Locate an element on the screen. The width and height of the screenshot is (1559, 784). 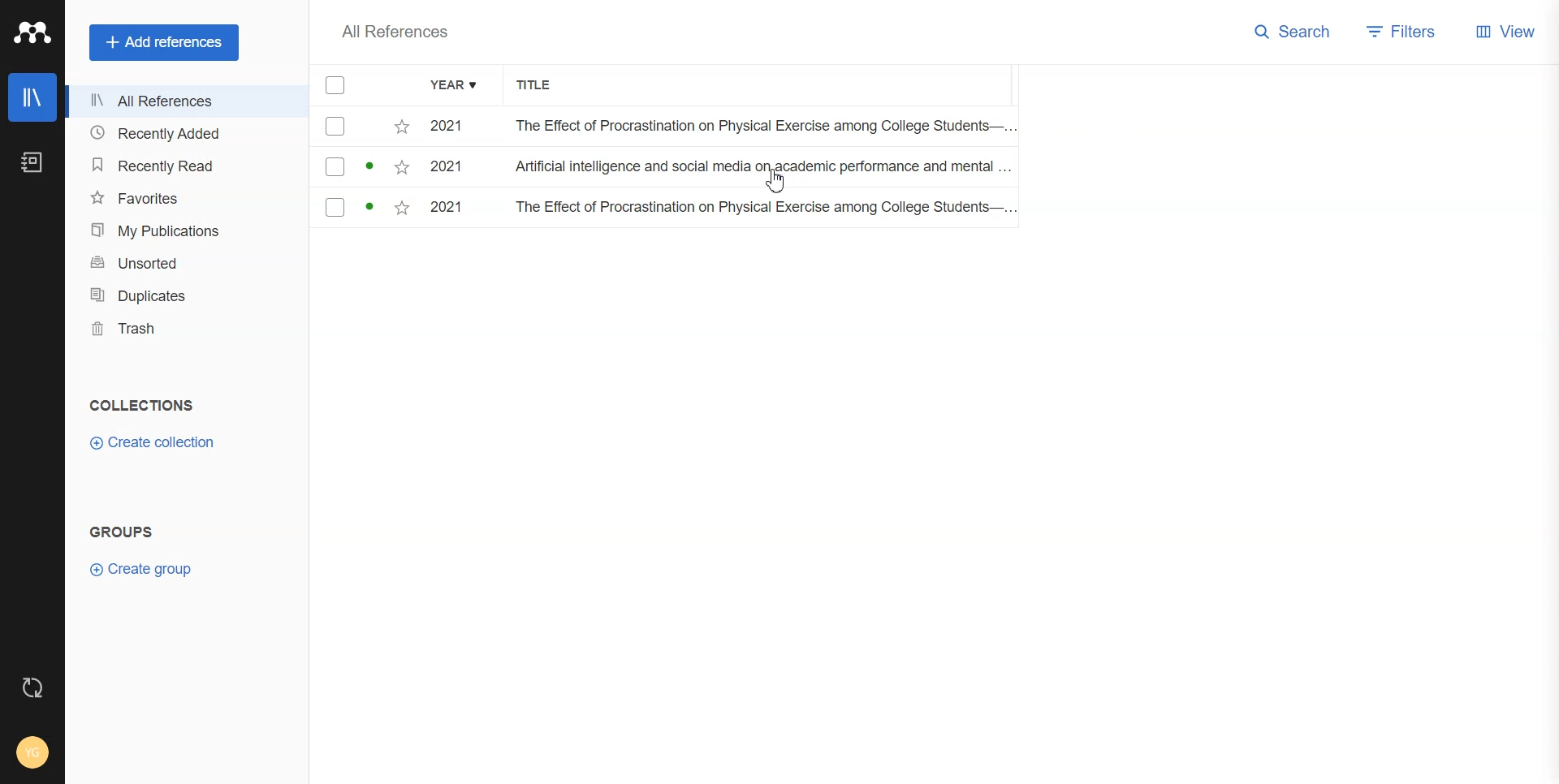
All References is located at coordinates (395, 32).